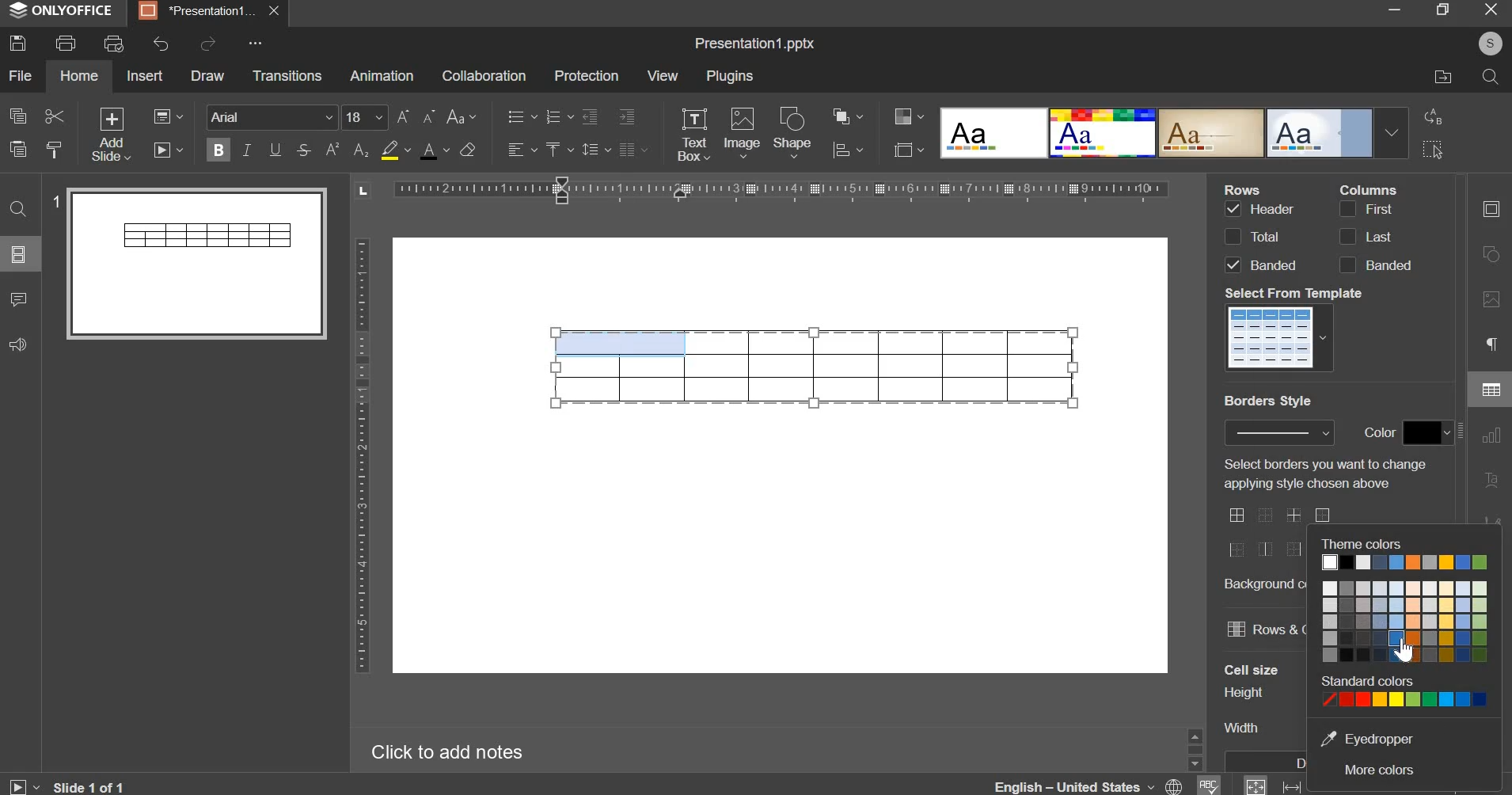 This screenshot has height=795, width=1512. Describe the element at coordinates (18, 115) in the screenshot. I see `copy` at that location.